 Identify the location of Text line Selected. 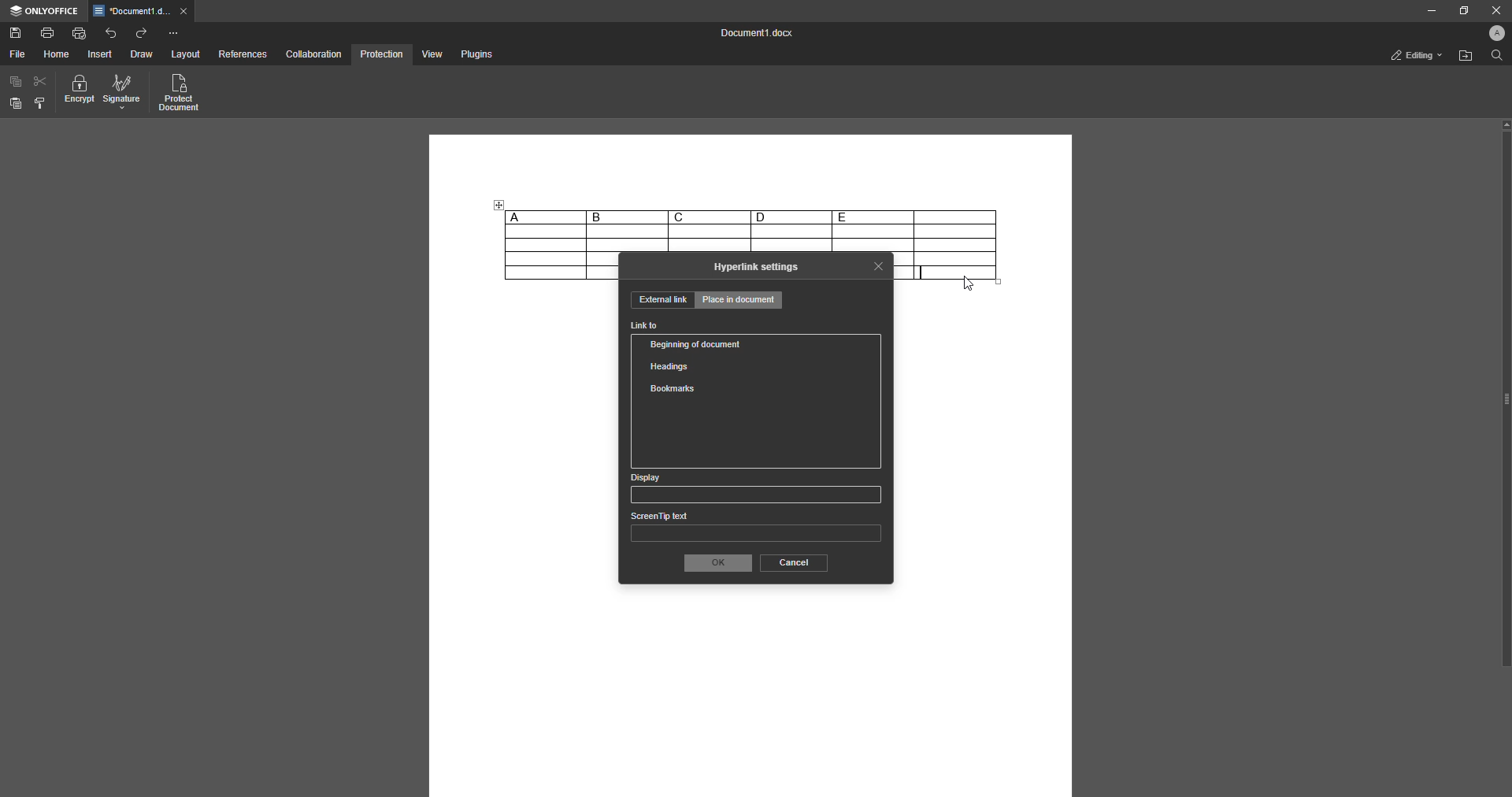
(923, 272).